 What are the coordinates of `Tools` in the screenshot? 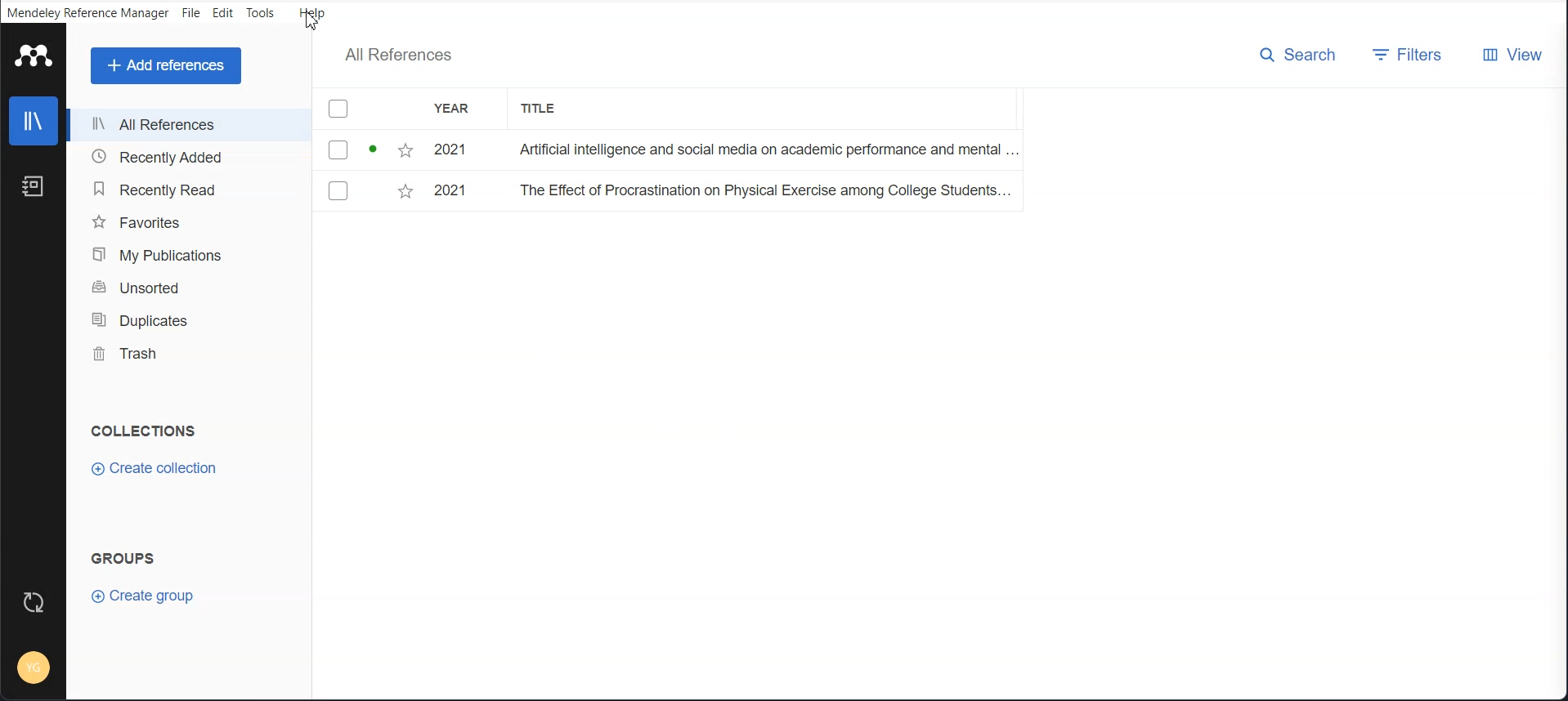 It's located at (261, 13).